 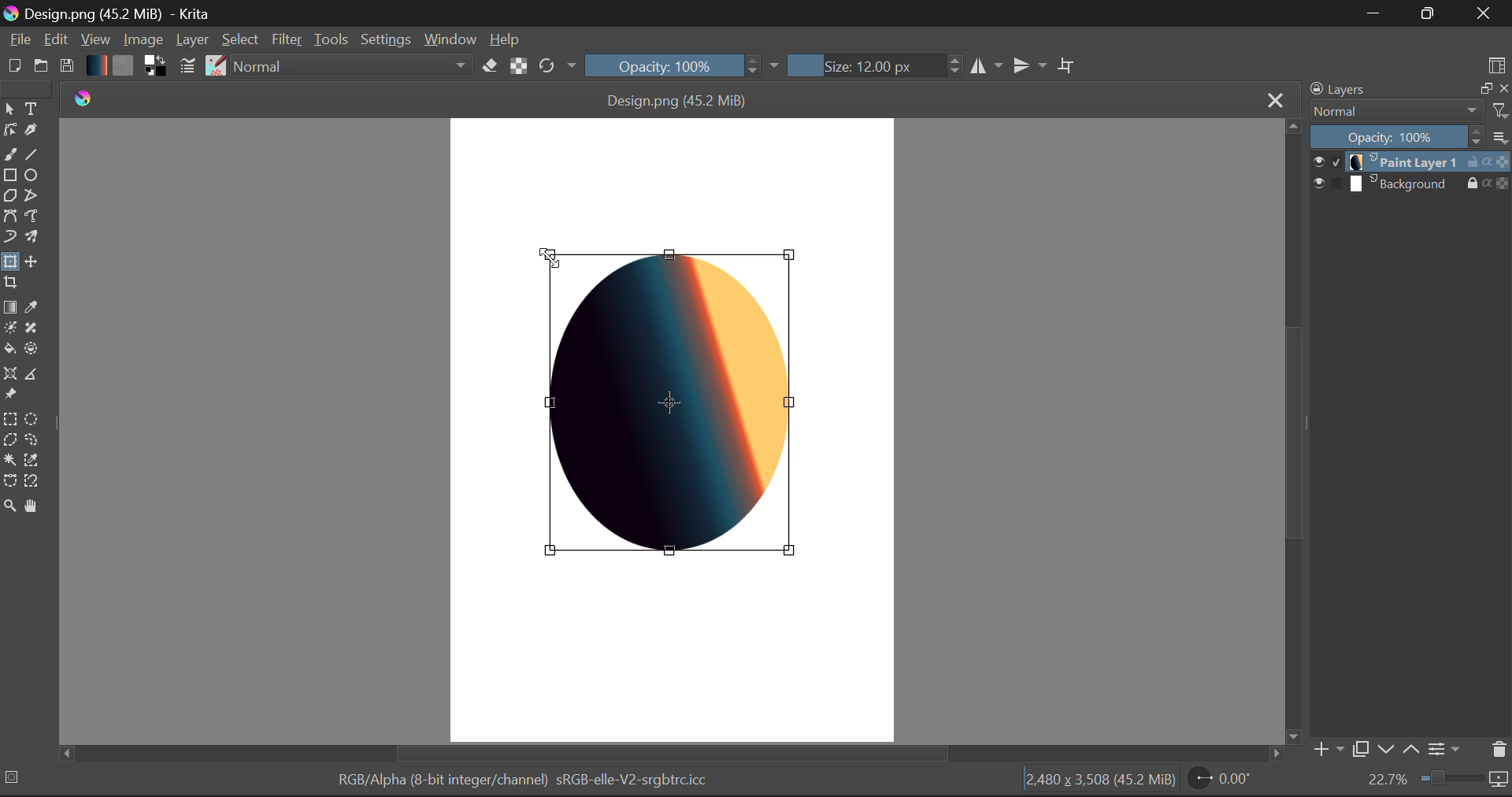 What do you see at coordinates (384, 39) in the screenshot?
I see `Settings` at bounding box center [384, 39].